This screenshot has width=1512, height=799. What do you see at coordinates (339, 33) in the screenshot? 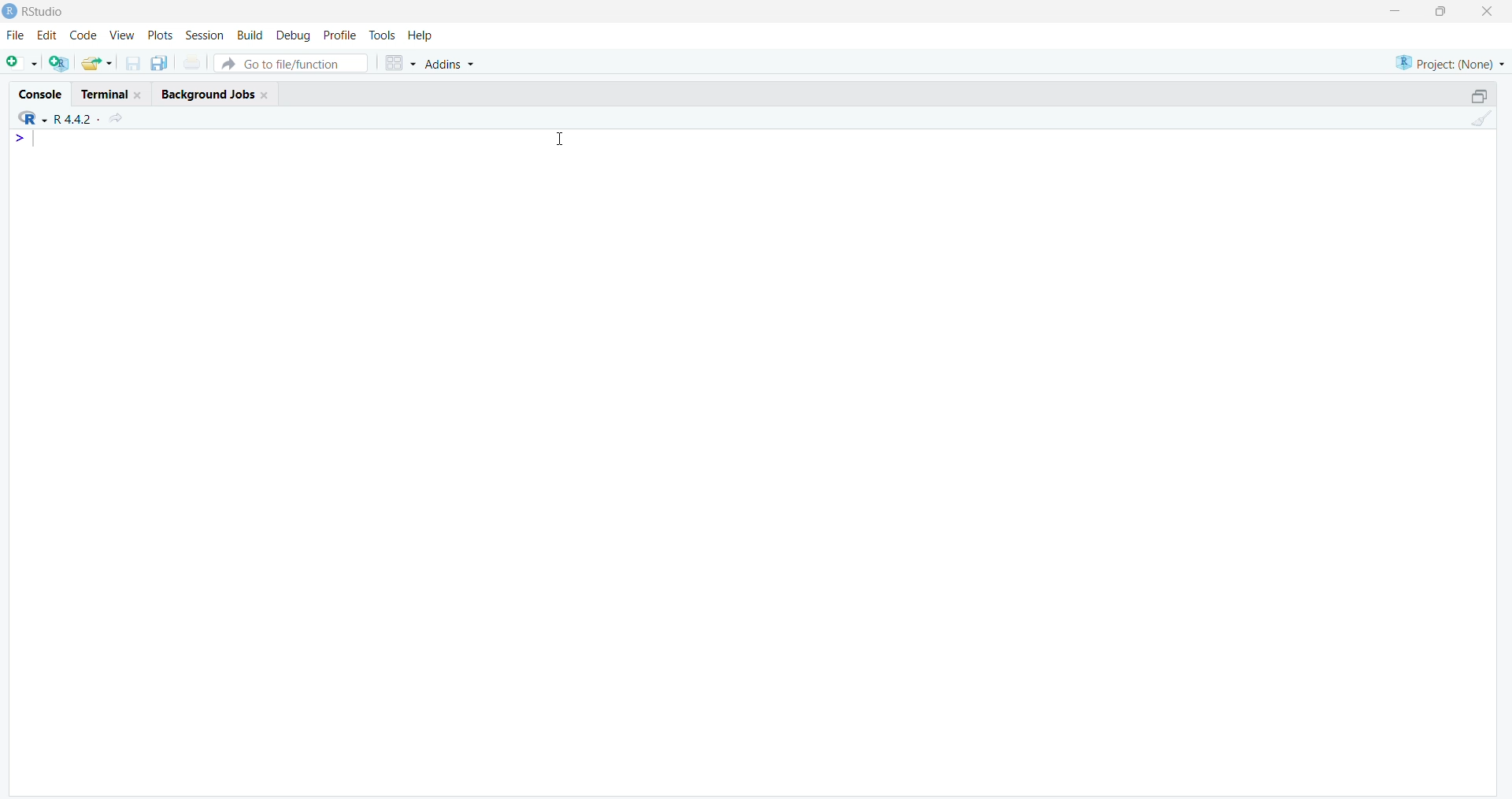
I see `Profile` at bounding box center [339, 33].